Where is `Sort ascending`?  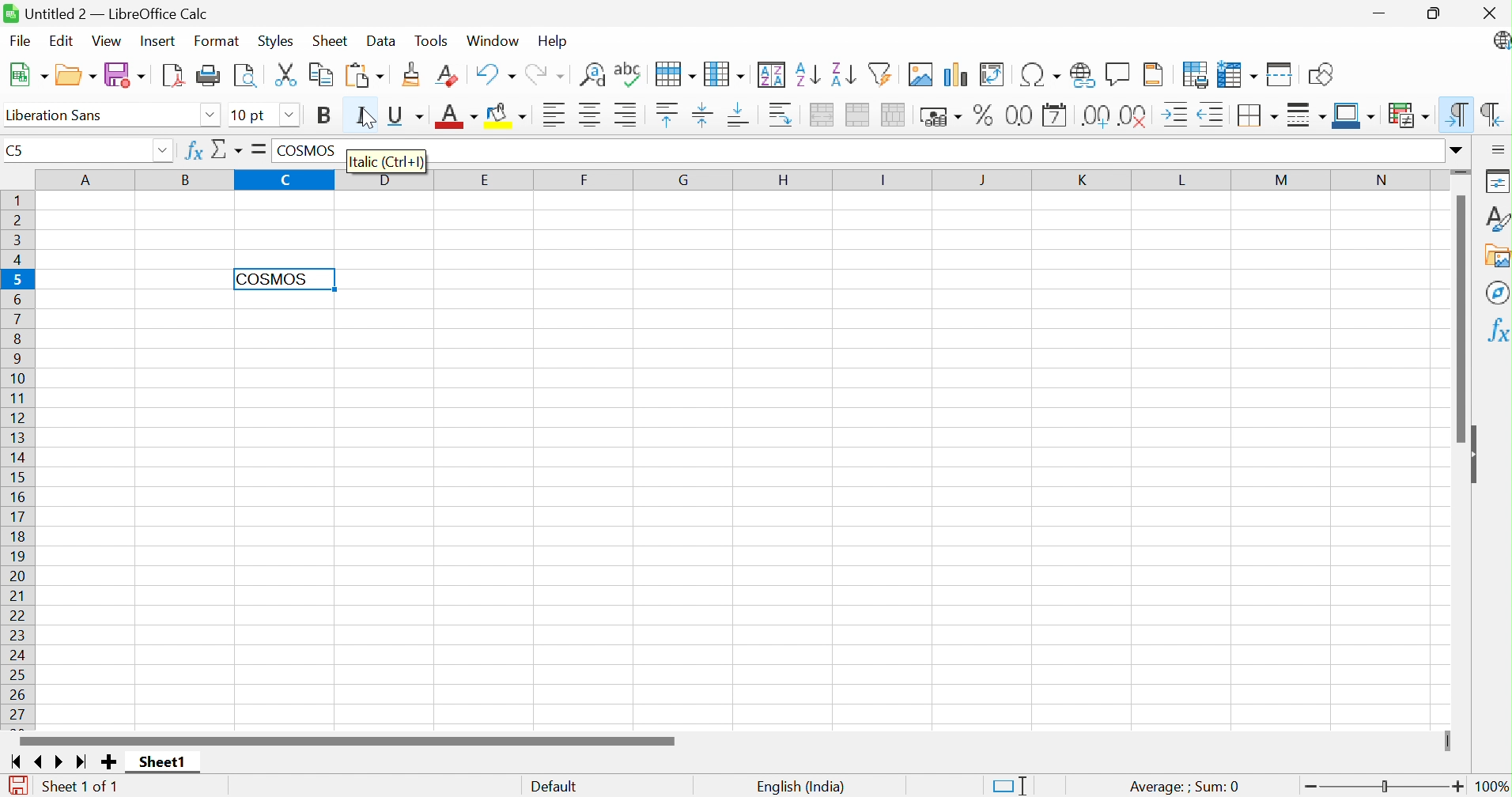 Sort ascending is located at coordinates (806, 75).